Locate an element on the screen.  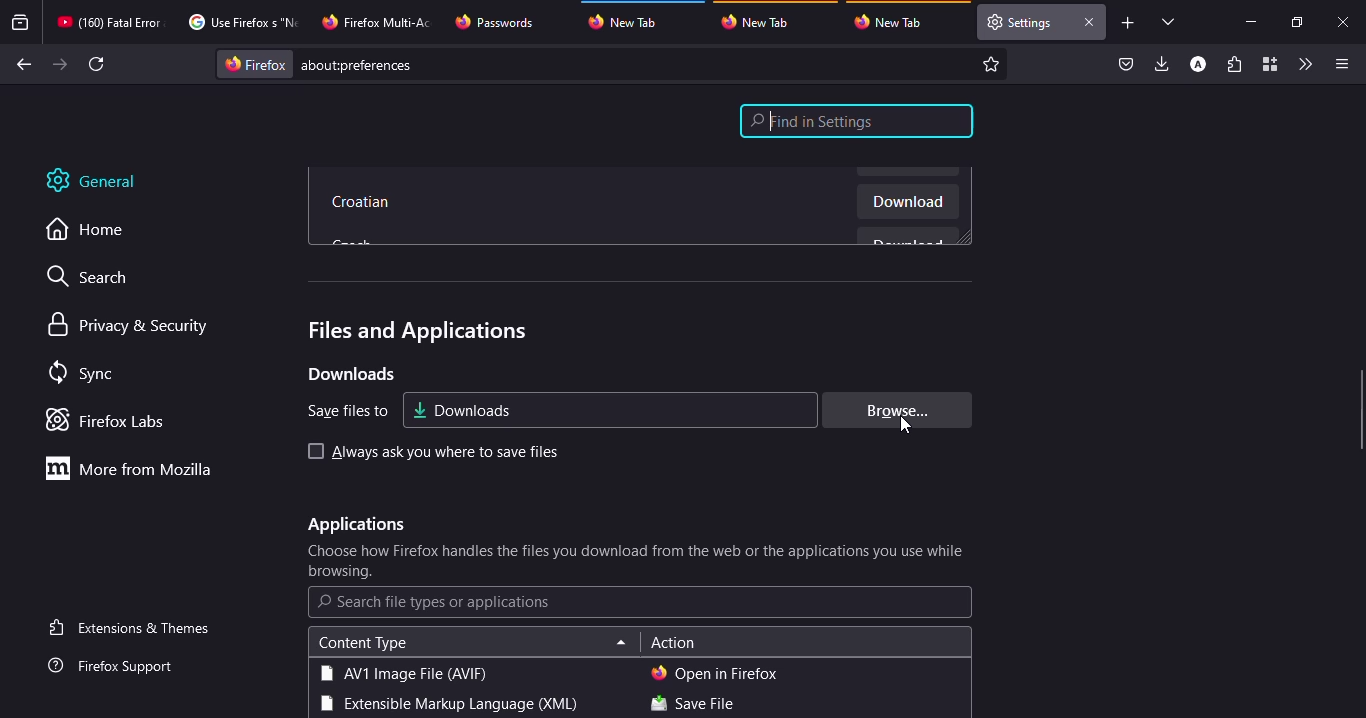
tab is located at coordinates (1021, 22).